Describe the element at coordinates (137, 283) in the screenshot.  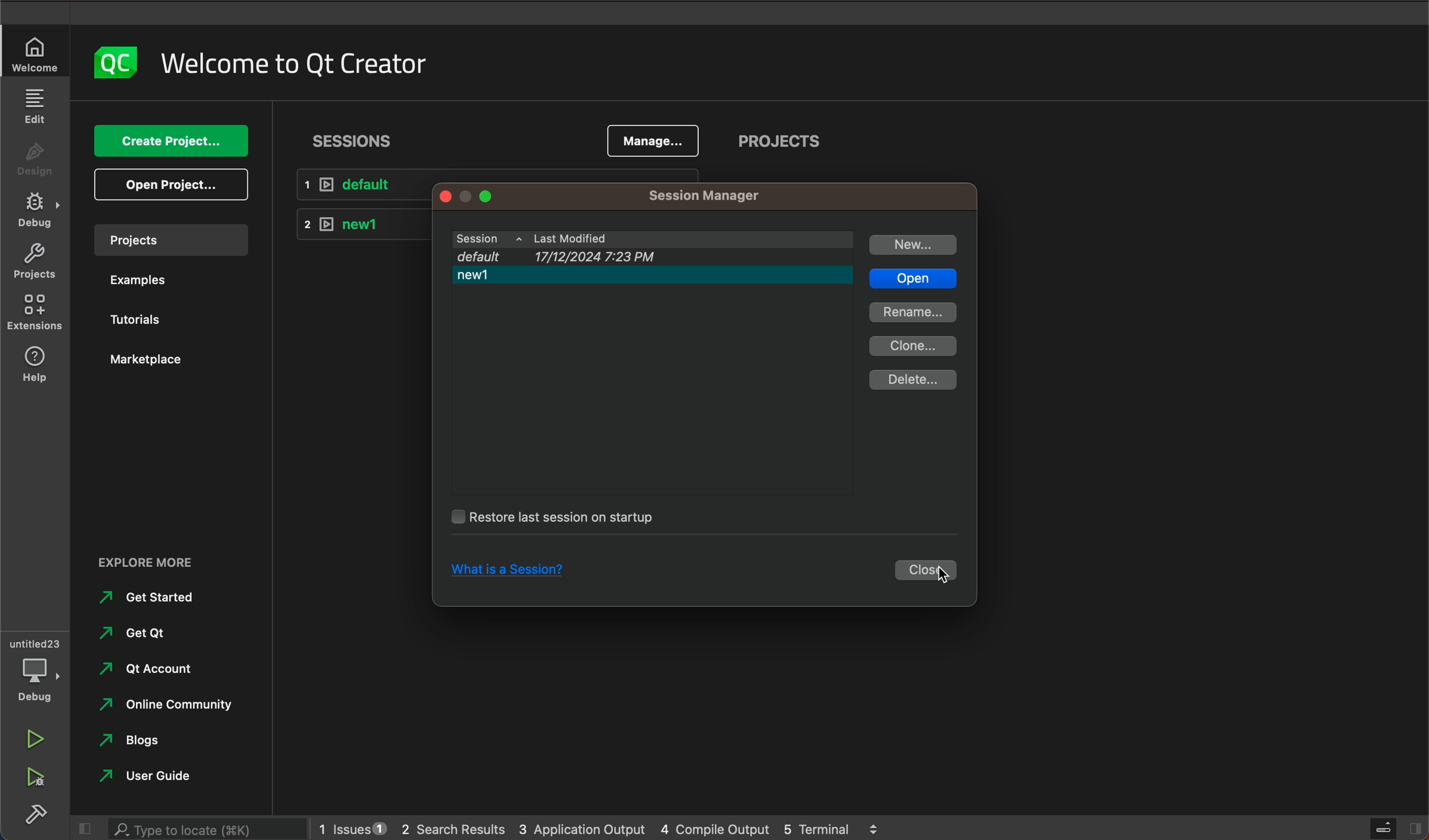
I see `examples` at that location.